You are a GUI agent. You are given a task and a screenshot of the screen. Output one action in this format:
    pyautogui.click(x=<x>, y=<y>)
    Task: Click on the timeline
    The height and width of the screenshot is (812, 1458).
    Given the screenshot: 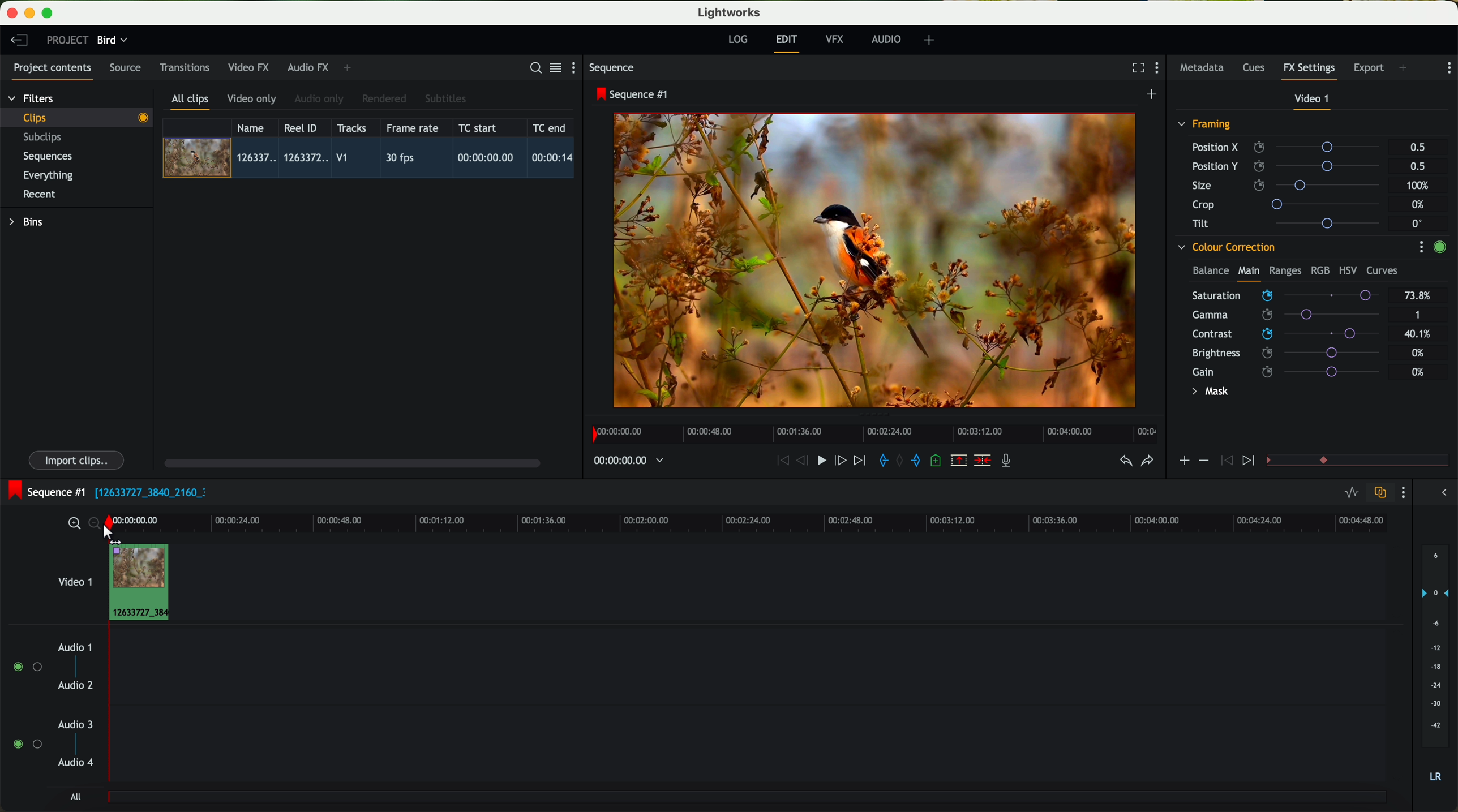 What is the action you would take?
    pyautogui.click(x=871, y=431)
    